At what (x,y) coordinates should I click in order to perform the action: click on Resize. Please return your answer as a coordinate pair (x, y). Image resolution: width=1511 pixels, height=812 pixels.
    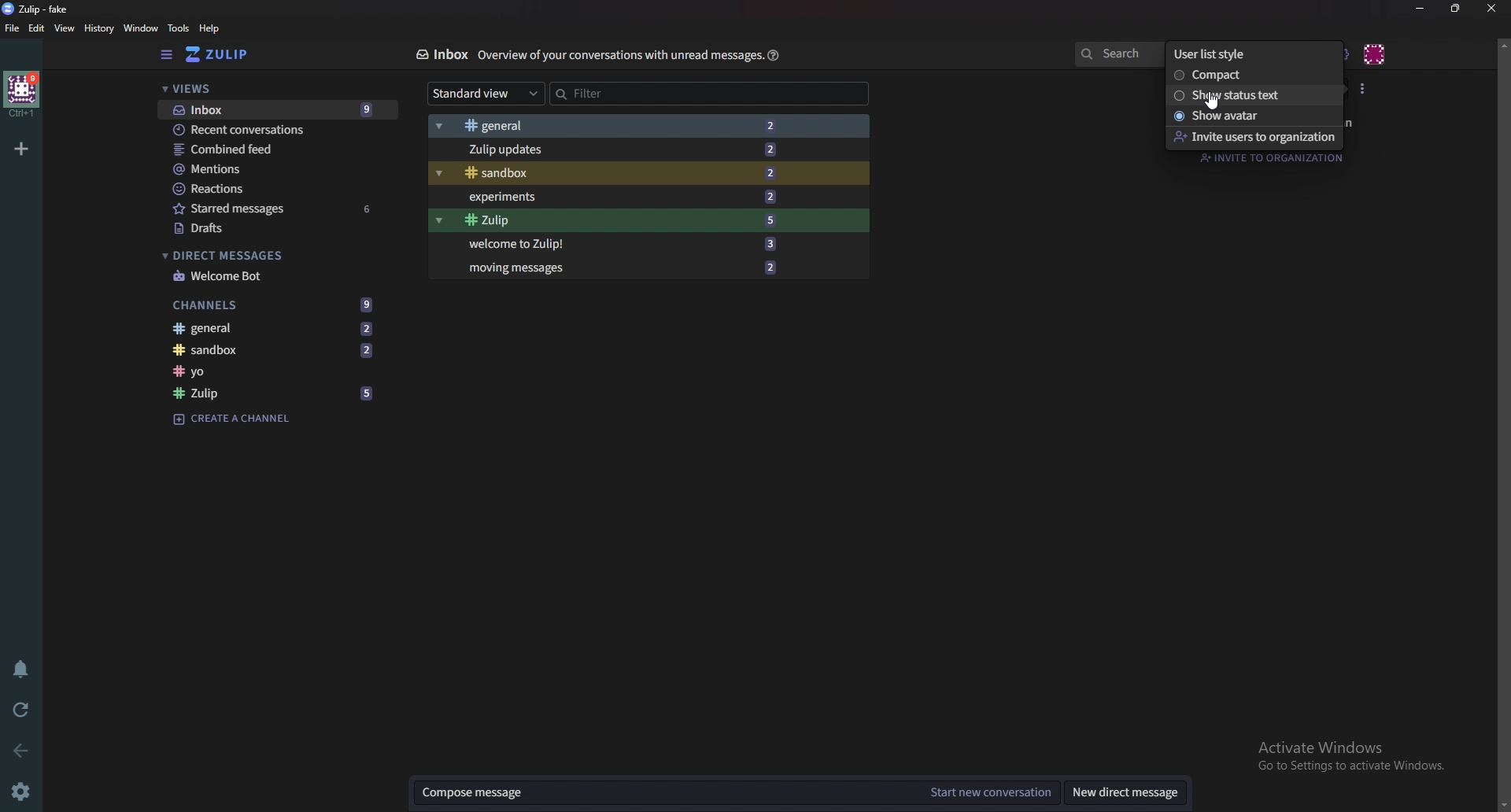
    Looking at the image, I should click on (1456, 9).